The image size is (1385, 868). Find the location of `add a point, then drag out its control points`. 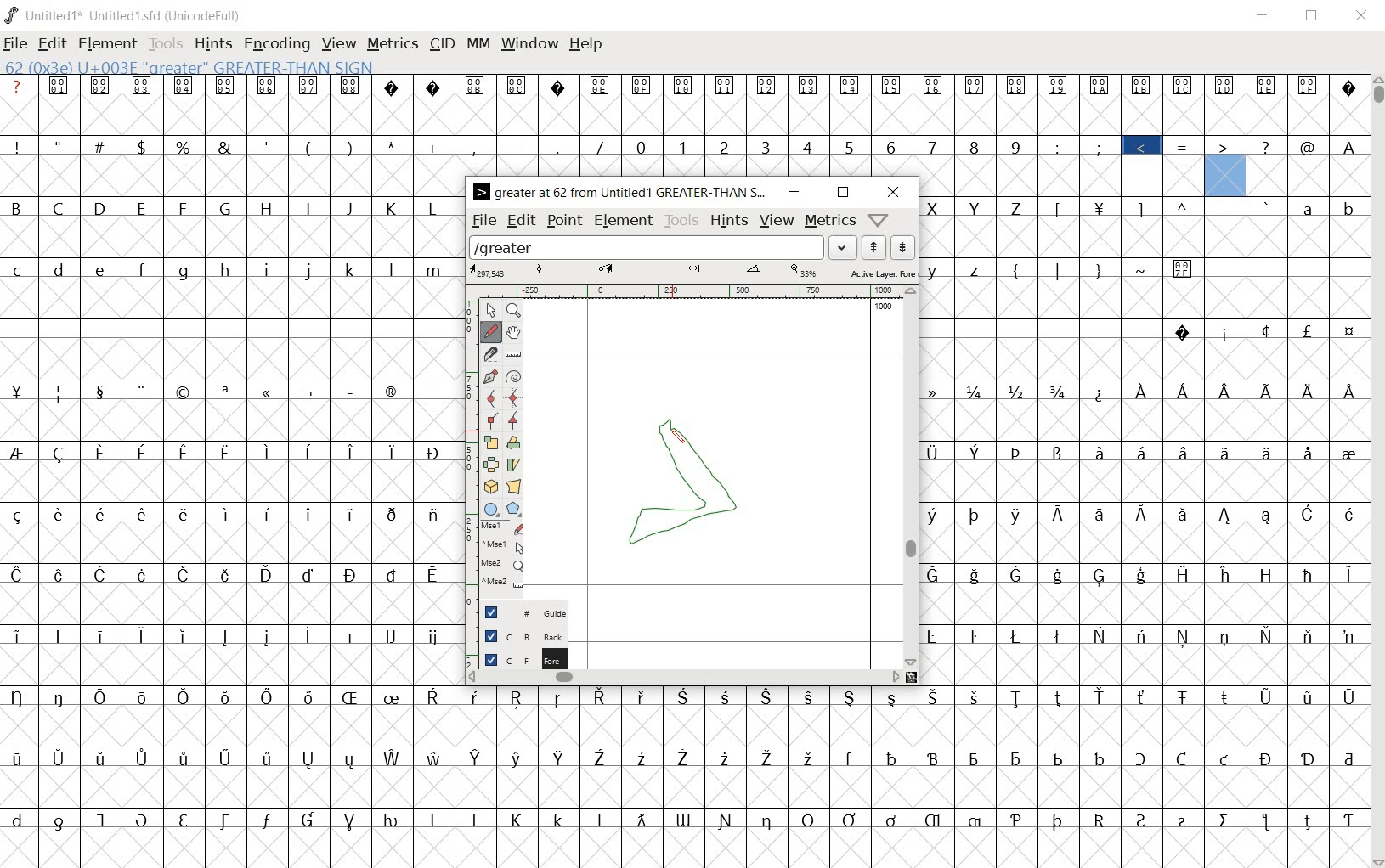

add a point, then drag out its control points is located at coordinates (489, 375).